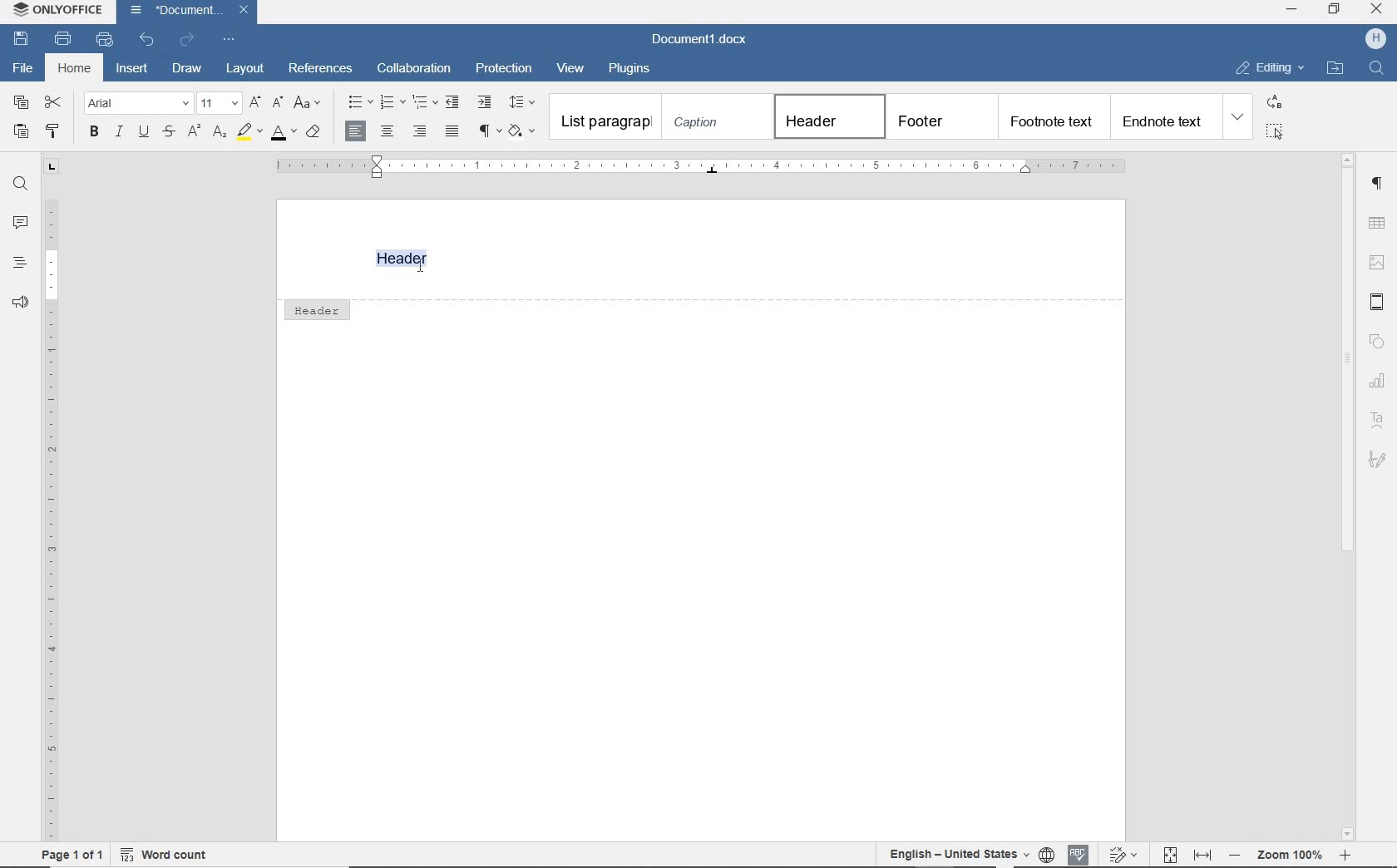 The height and width of the screenshot is (868, 1397). What do you see at coordinates (605, 117) in the screenshot?
I see `Normal` at bounding box center [605, 117].